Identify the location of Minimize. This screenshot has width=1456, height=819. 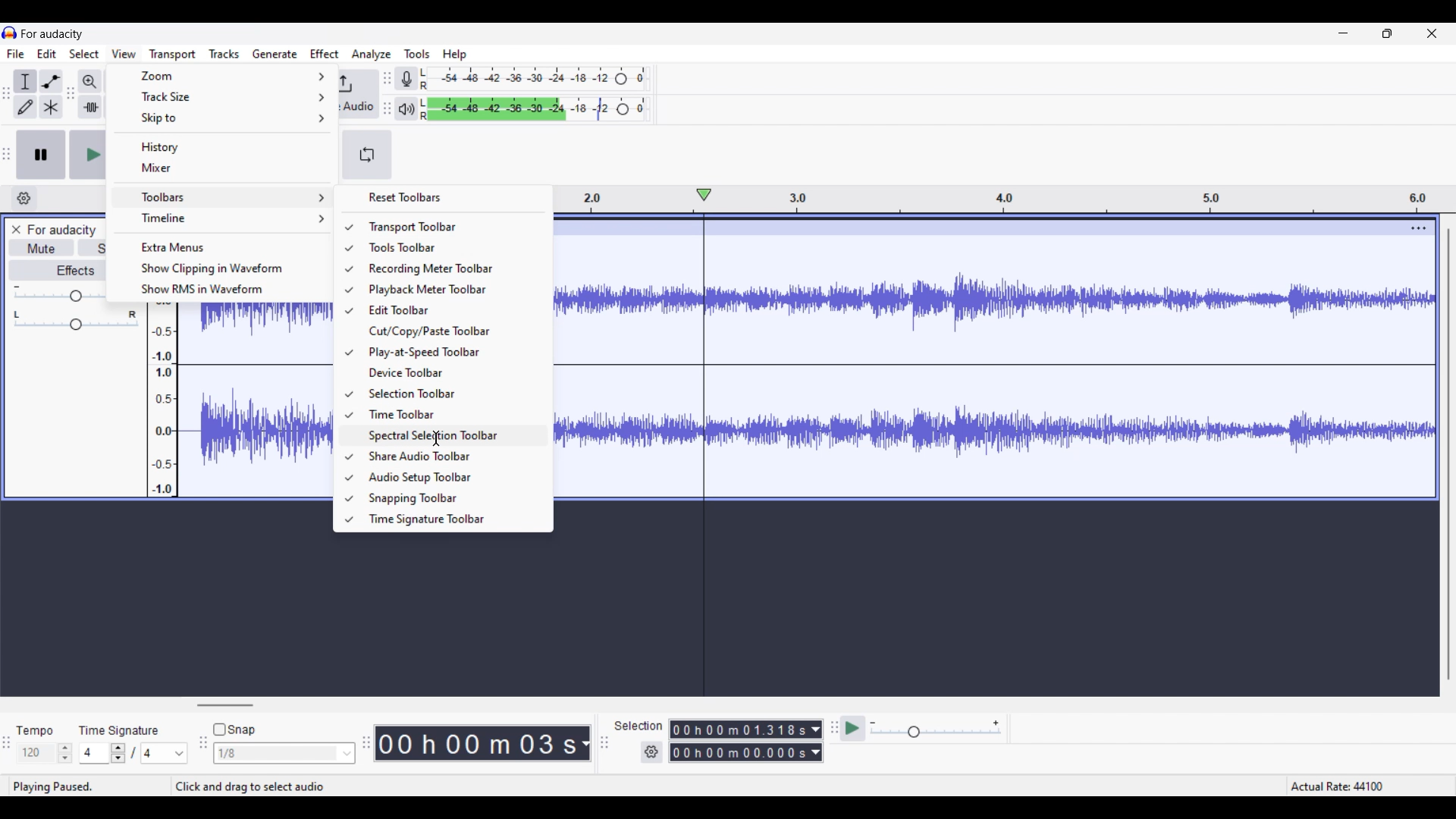
(1343, 33).